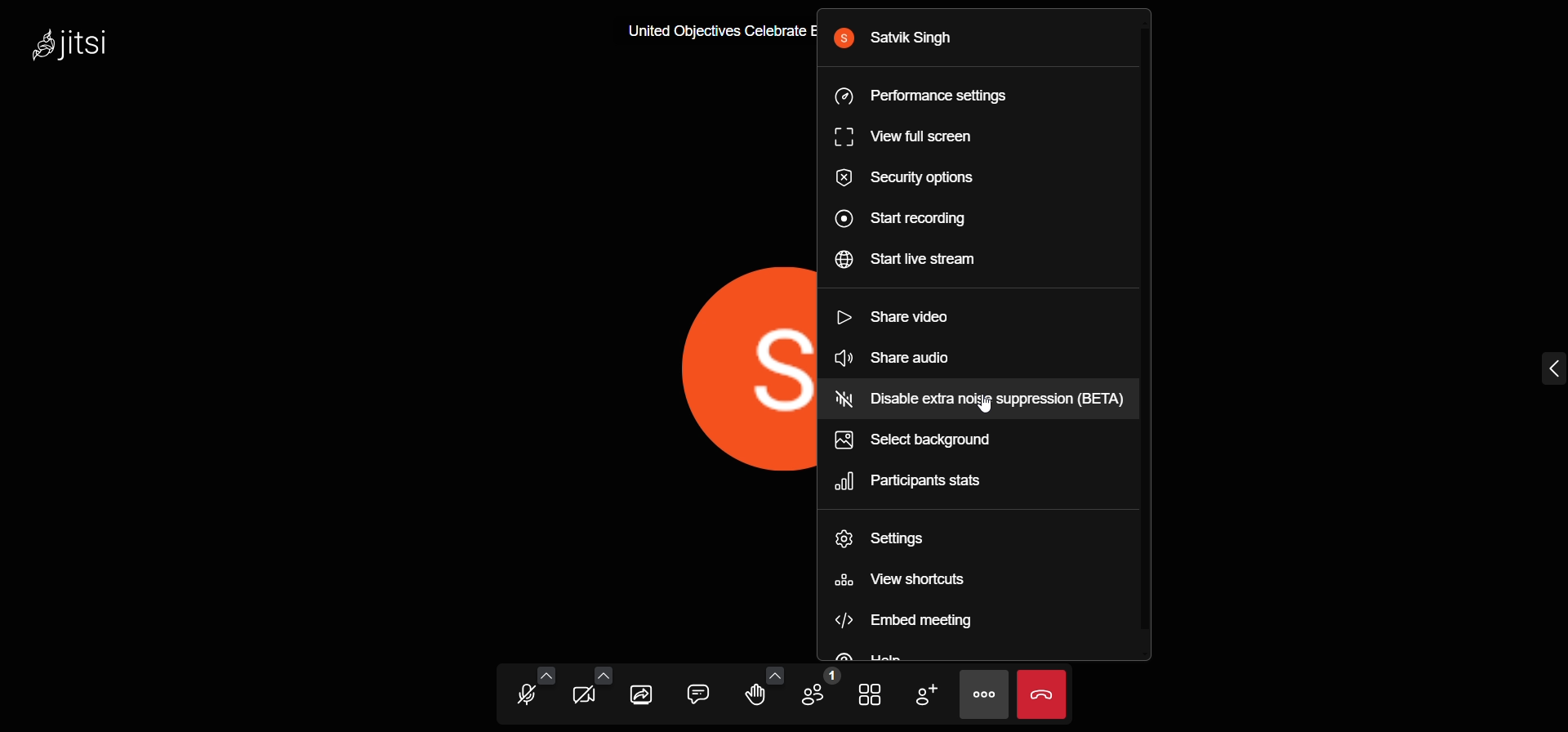  What do you see at coordinates (898, 357) in the screenshot?
I see `share video` at bounding box center [898, 357].